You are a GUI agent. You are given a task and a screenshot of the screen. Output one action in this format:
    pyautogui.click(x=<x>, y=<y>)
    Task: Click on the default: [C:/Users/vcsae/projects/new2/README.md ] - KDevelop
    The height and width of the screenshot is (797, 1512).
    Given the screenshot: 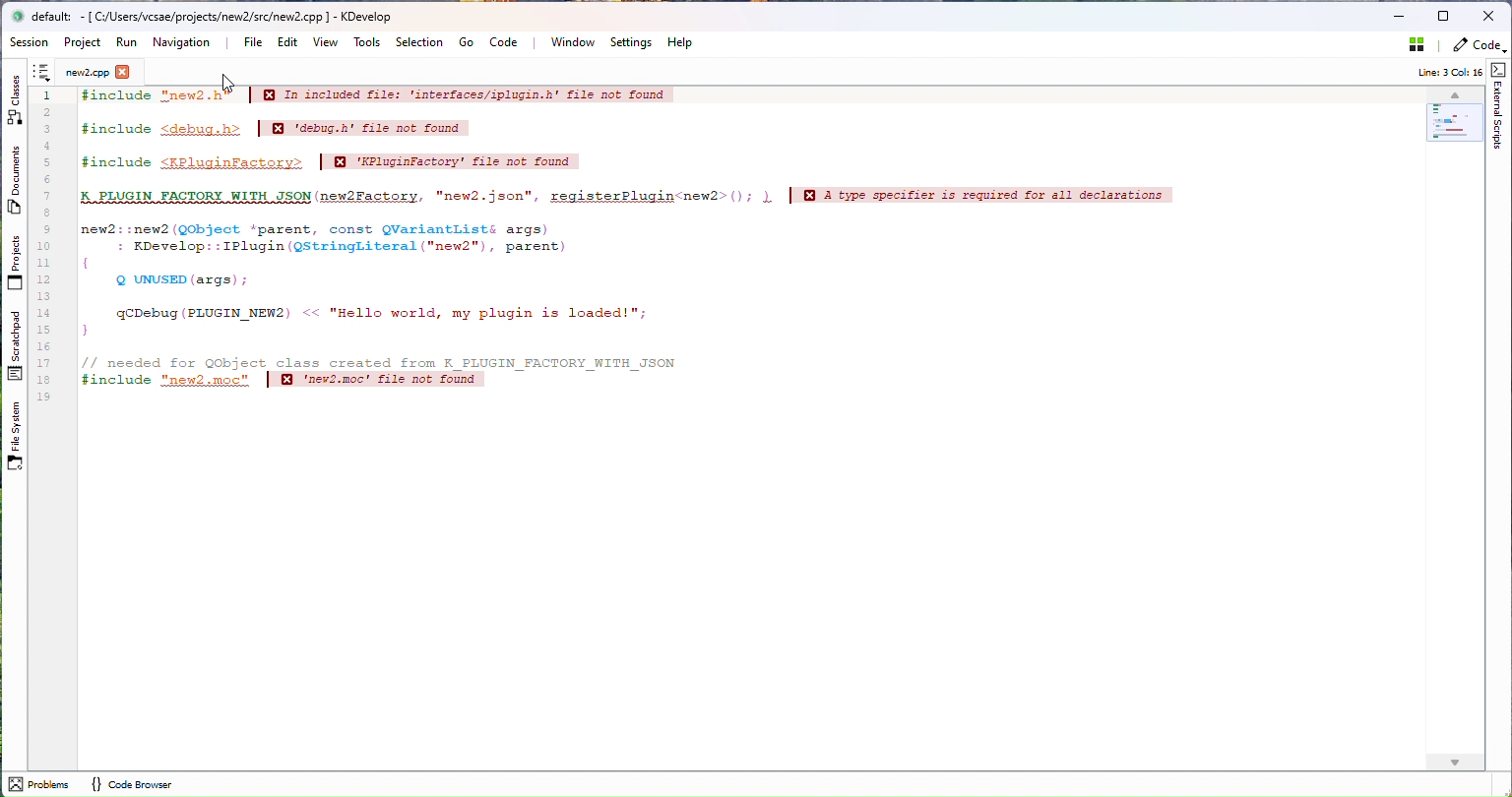 What is the action you would take?
    pyautogui.click(x=207, y=18)
    